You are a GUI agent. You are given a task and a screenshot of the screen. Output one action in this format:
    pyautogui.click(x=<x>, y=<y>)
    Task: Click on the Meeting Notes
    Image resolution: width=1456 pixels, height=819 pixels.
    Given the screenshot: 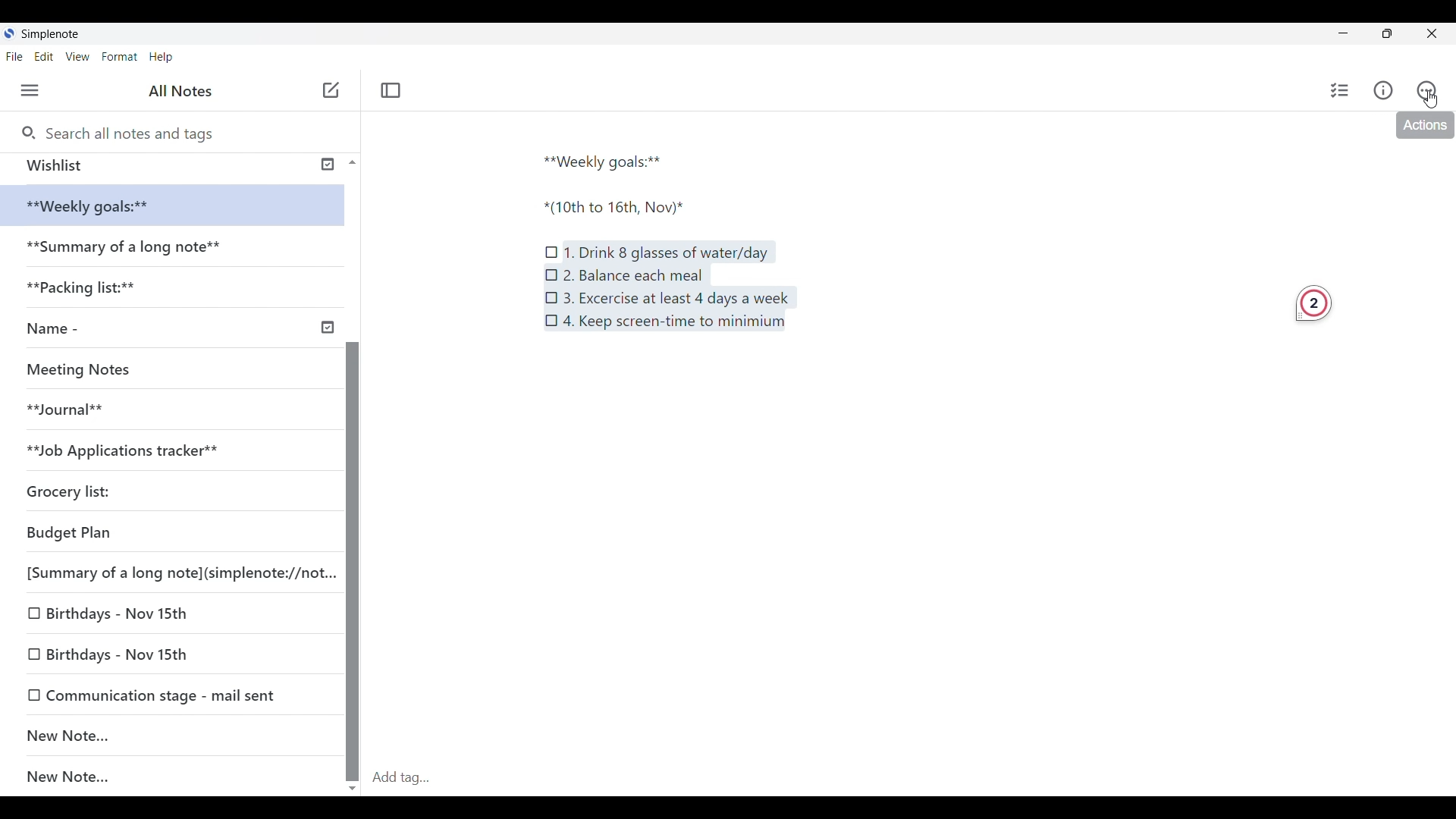 What is the action you would take?
    pyautogui.click(x=85, y=367)
    